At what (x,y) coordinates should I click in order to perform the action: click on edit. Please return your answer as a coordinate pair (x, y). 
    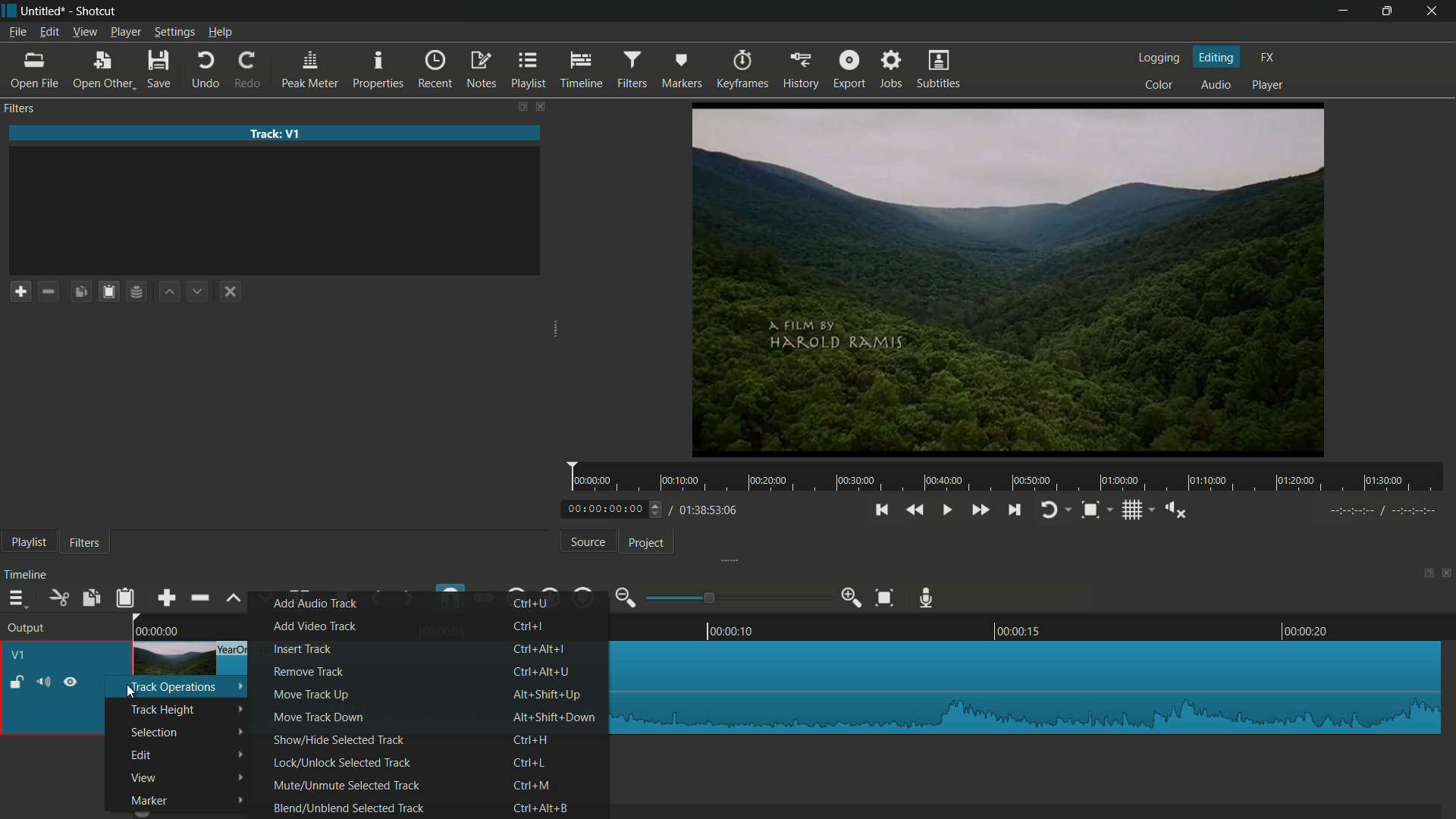
    Looking at the image, I should click on (143, 755).